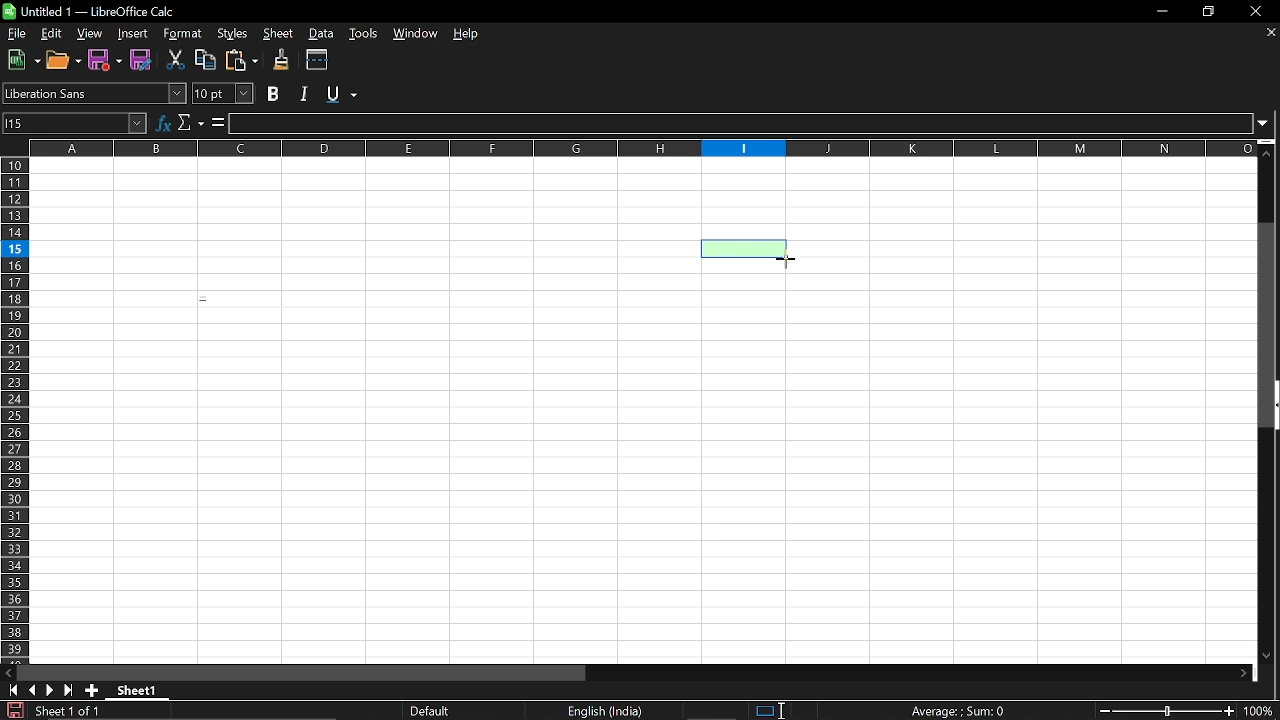 This screenshot has height=720, width=1280. I want to click on Expand formula bar, so click(1269, 126).